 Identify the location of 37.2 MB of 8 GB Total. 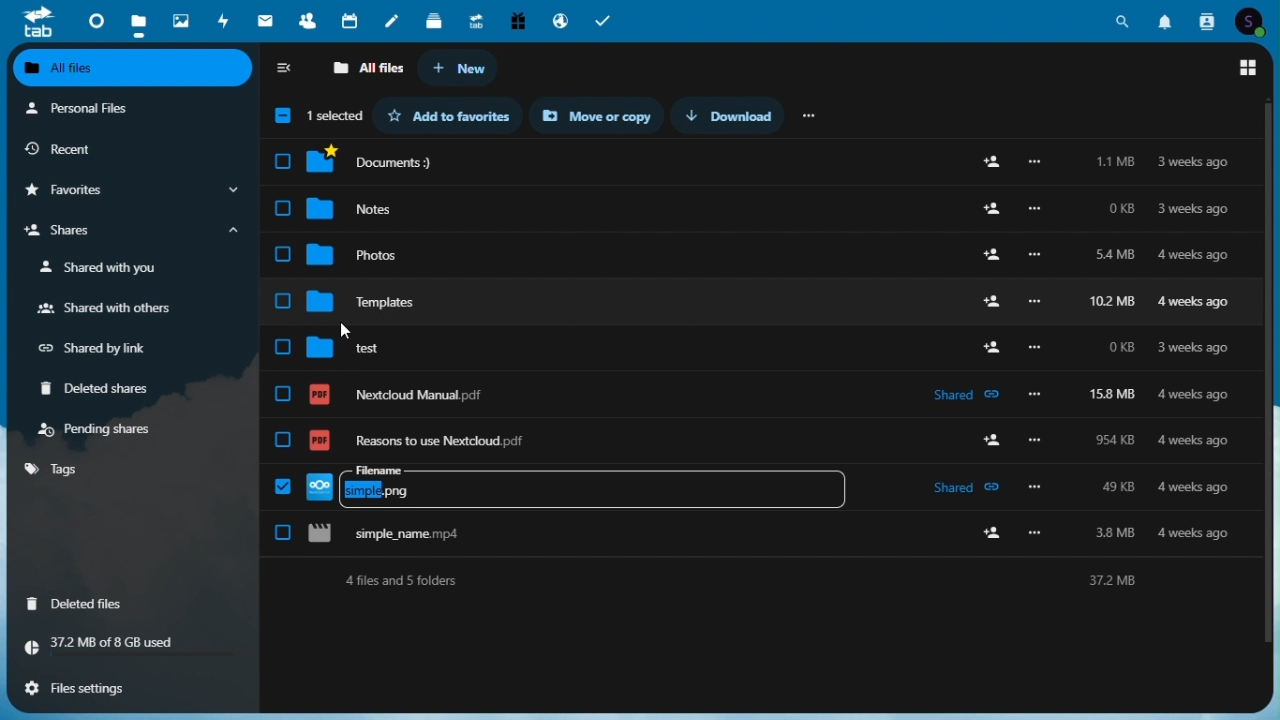
(131, 644).